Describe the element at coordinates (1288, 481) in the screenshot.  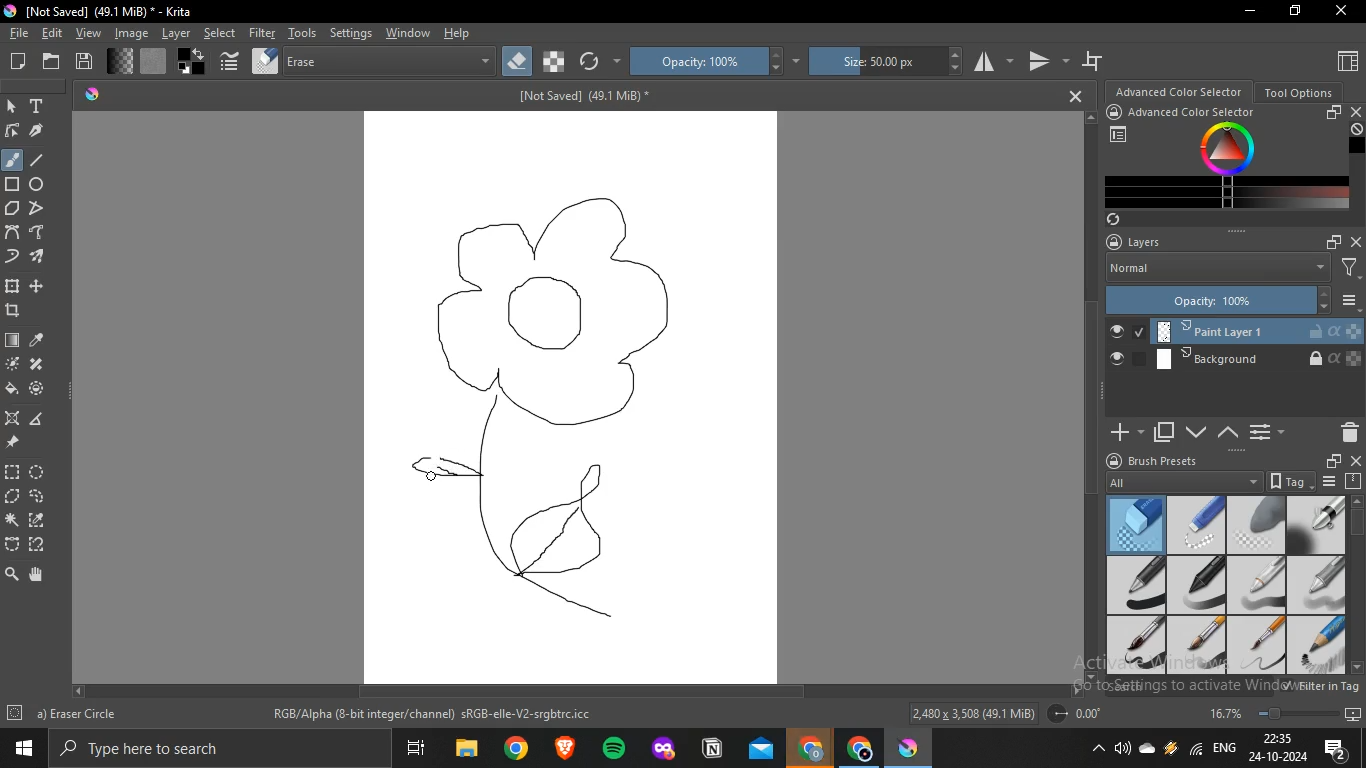
I see `tag` at that location.